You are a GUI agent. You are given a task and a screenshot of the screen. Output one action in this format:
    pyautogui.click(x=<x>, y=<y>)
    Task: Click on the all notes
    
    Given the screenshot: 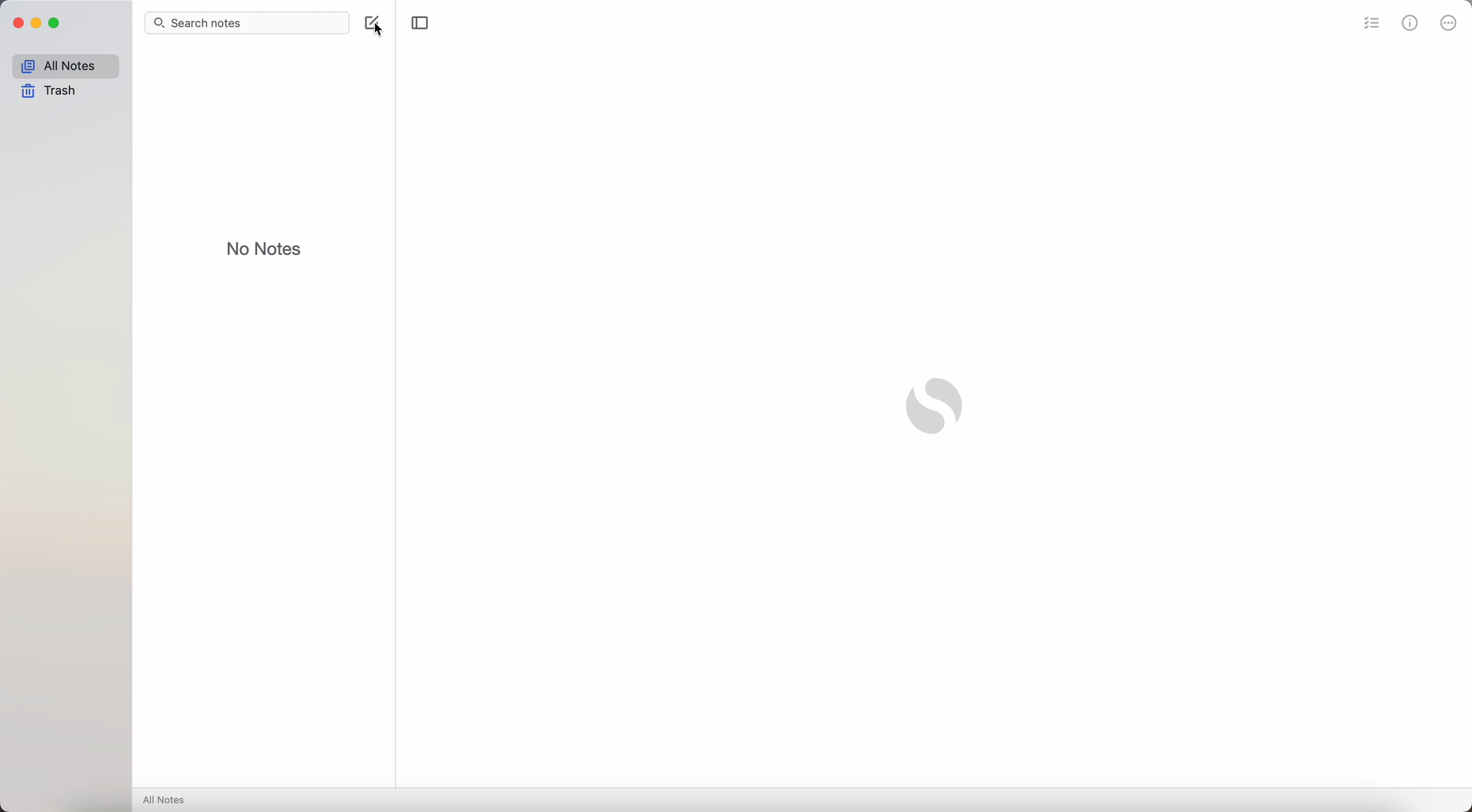 What is the action you would take?
    pyautogui.click(x=65, y=64)
    